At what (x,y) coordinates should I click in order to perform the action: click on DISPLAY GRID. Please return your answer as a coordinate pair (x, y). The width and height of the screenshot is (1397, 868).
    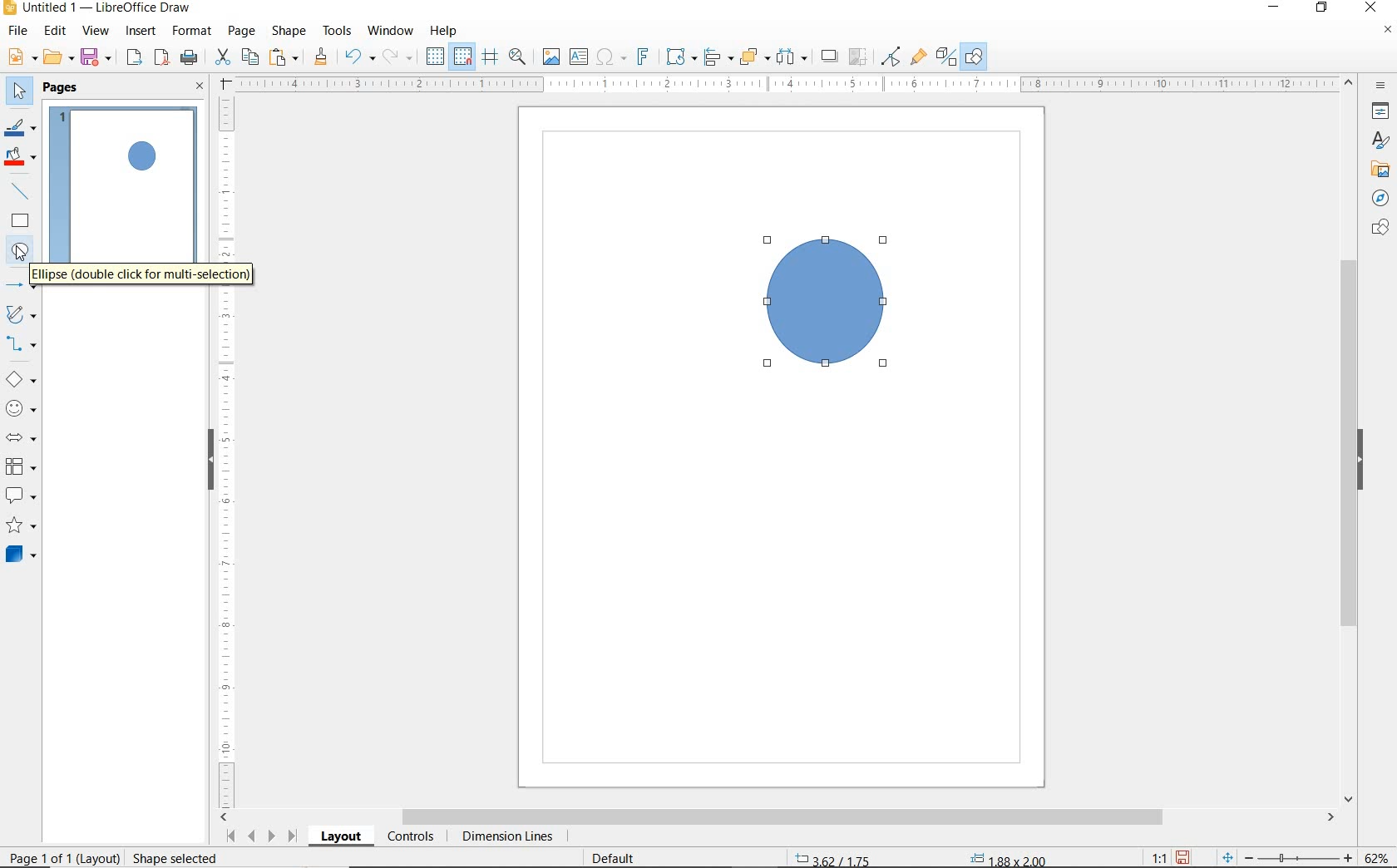
    Looking at the image, I should click on (437, 57).